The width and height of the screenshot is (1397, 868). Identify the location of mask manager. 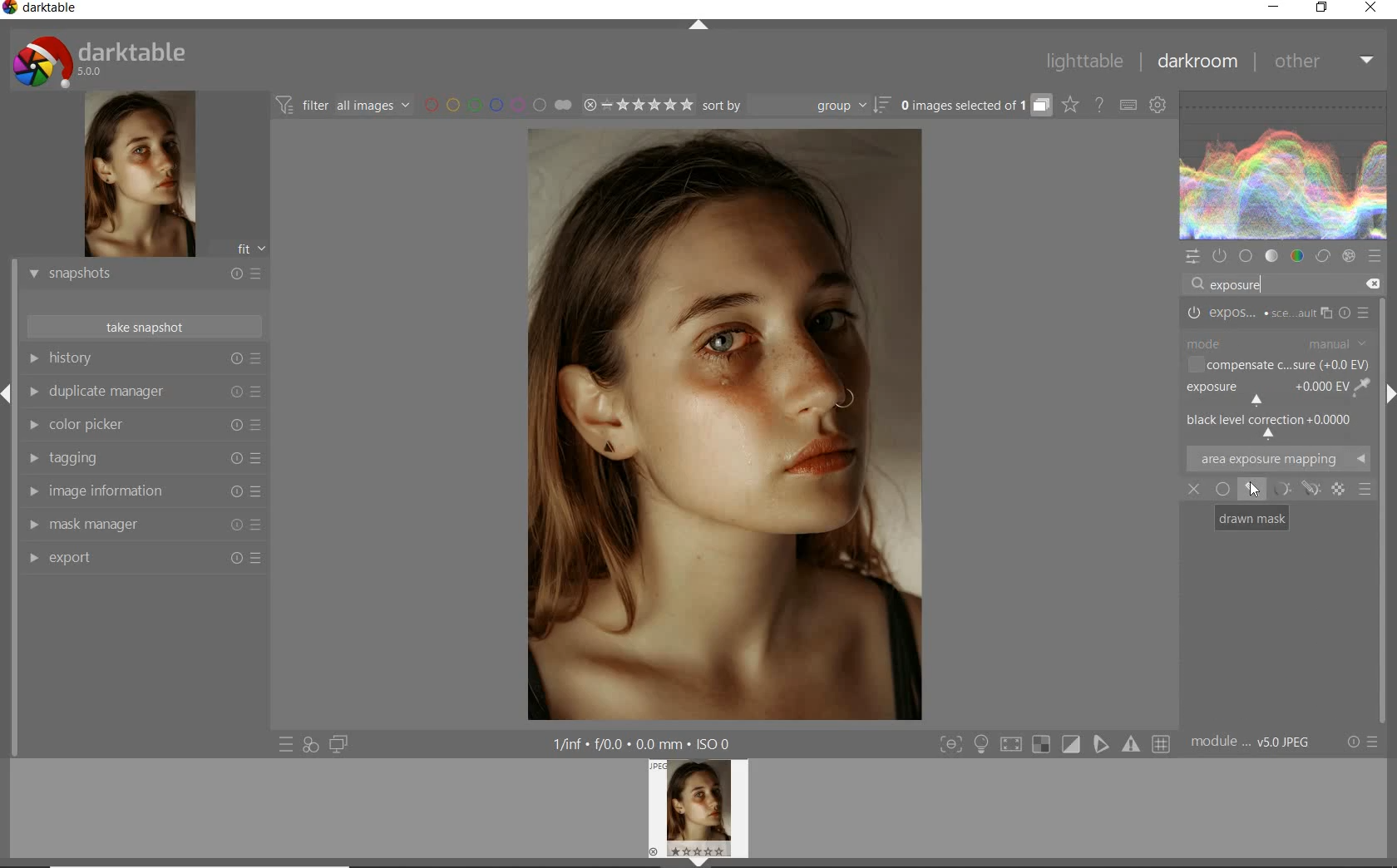
(147, 525).